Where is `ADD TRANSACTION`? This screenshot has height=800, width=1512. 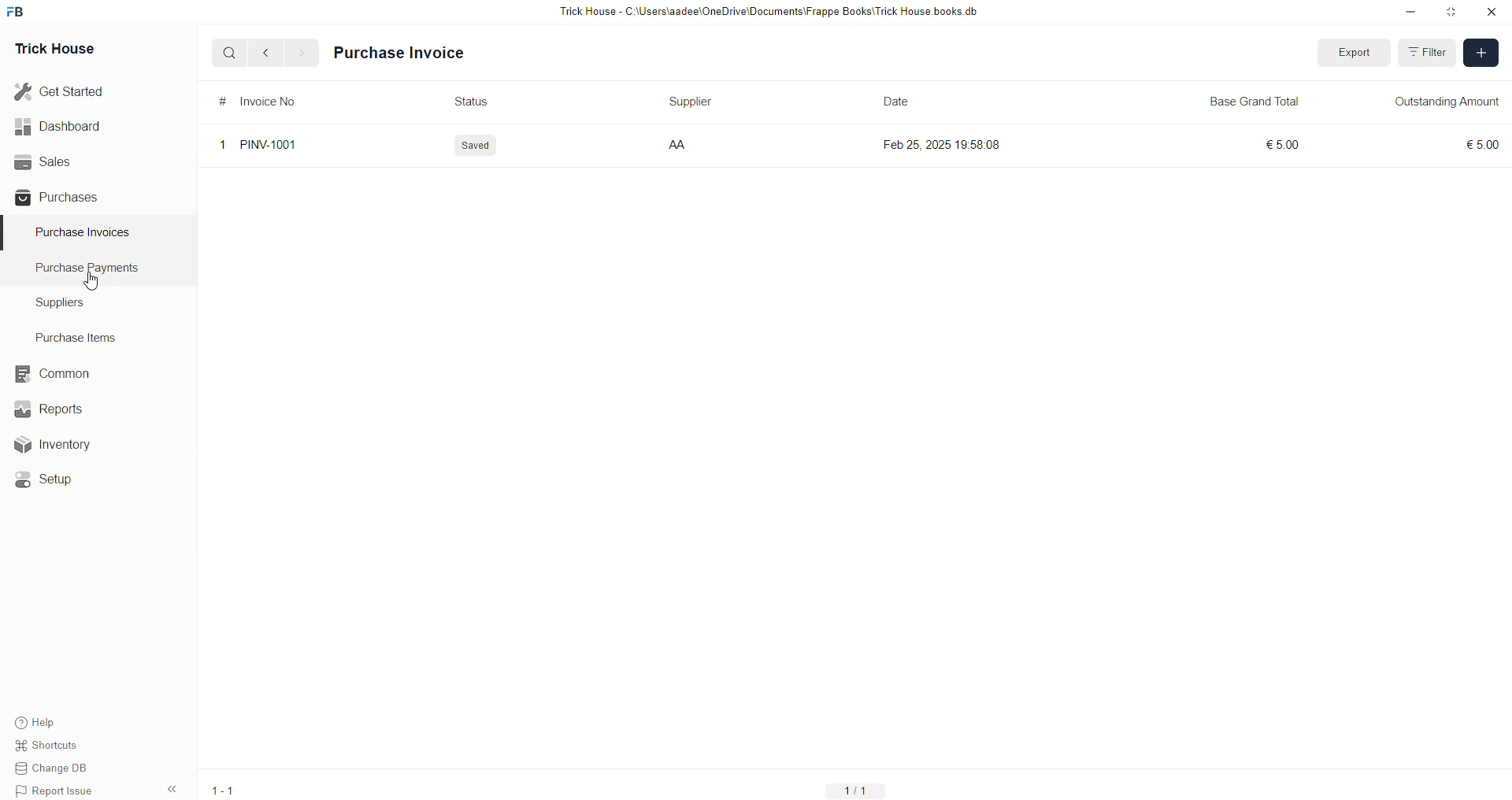
ADD TRANSACTION is located at coordinates (1479, 51).